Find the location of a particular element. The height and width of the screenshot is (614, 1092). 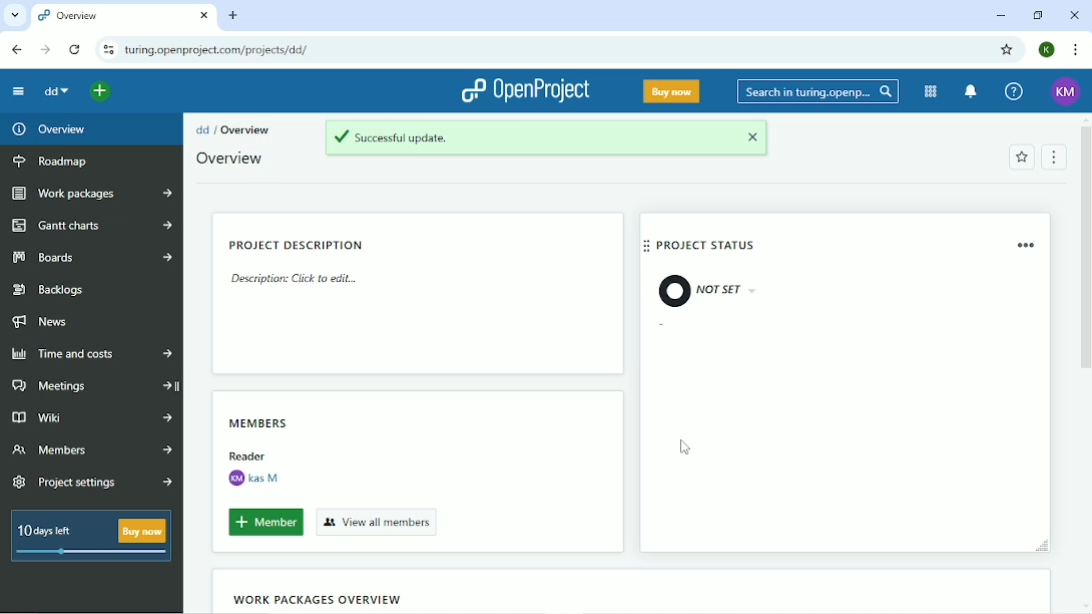

Vertical scrollbar is located at coordinates (1085, 245).